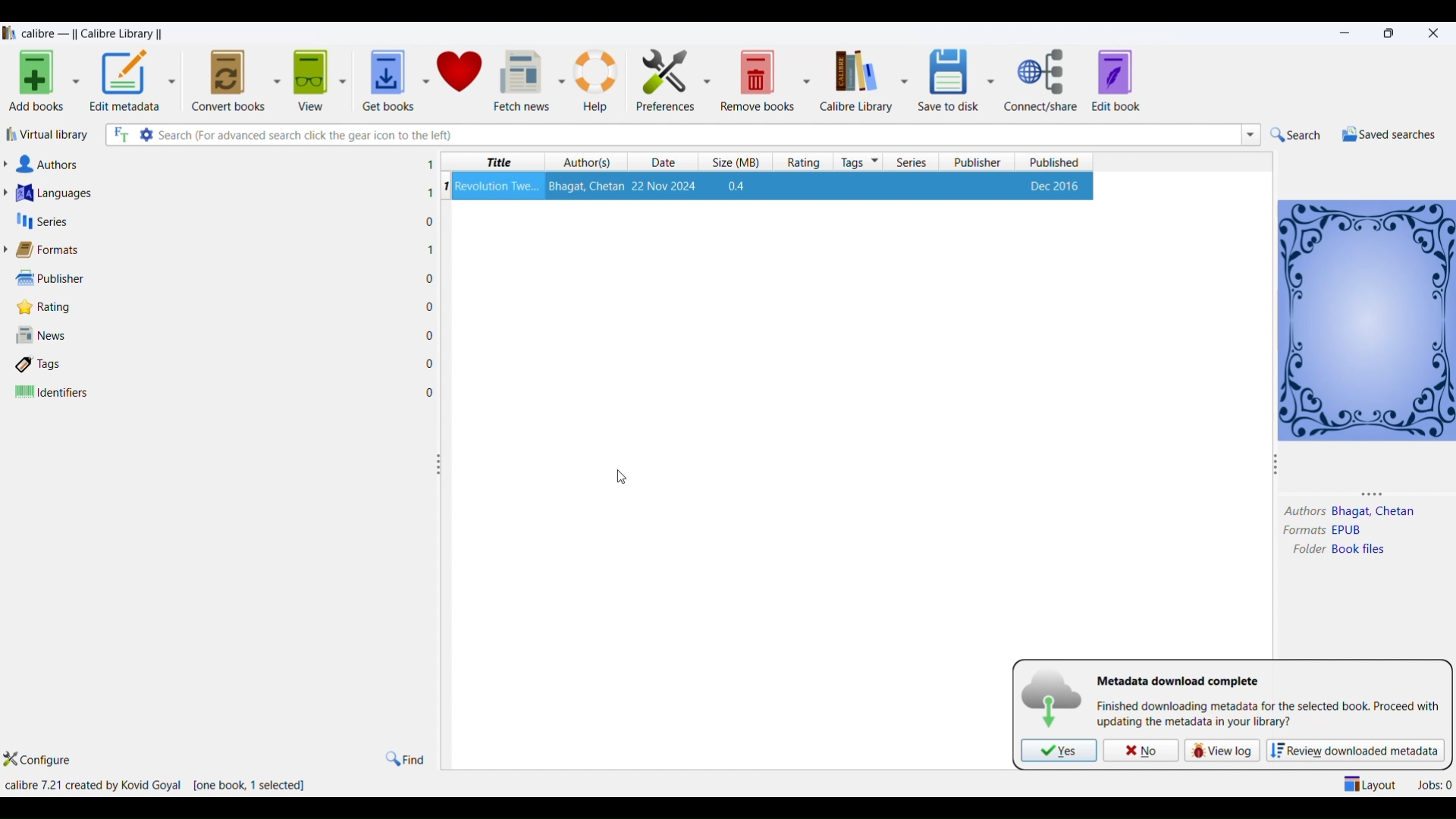  I want to click on maximize , so click(1392, 33).